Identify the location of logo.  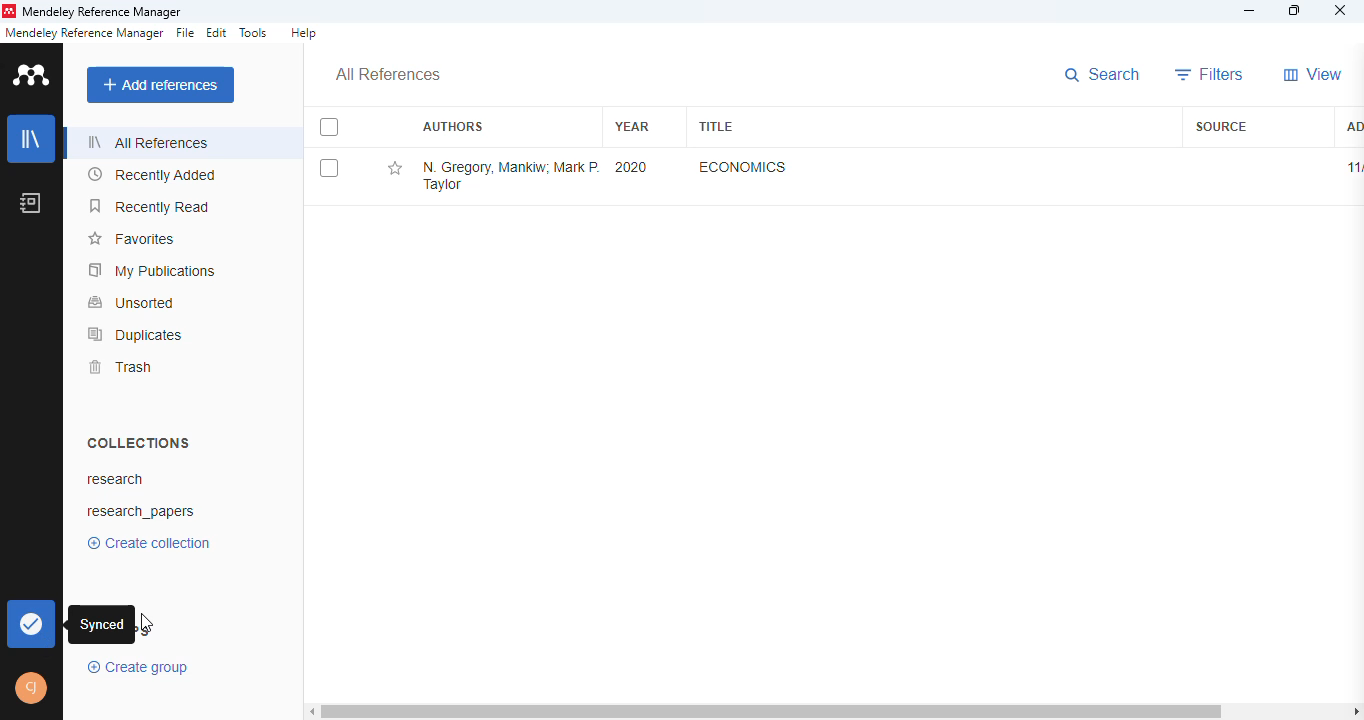
(9, 11).